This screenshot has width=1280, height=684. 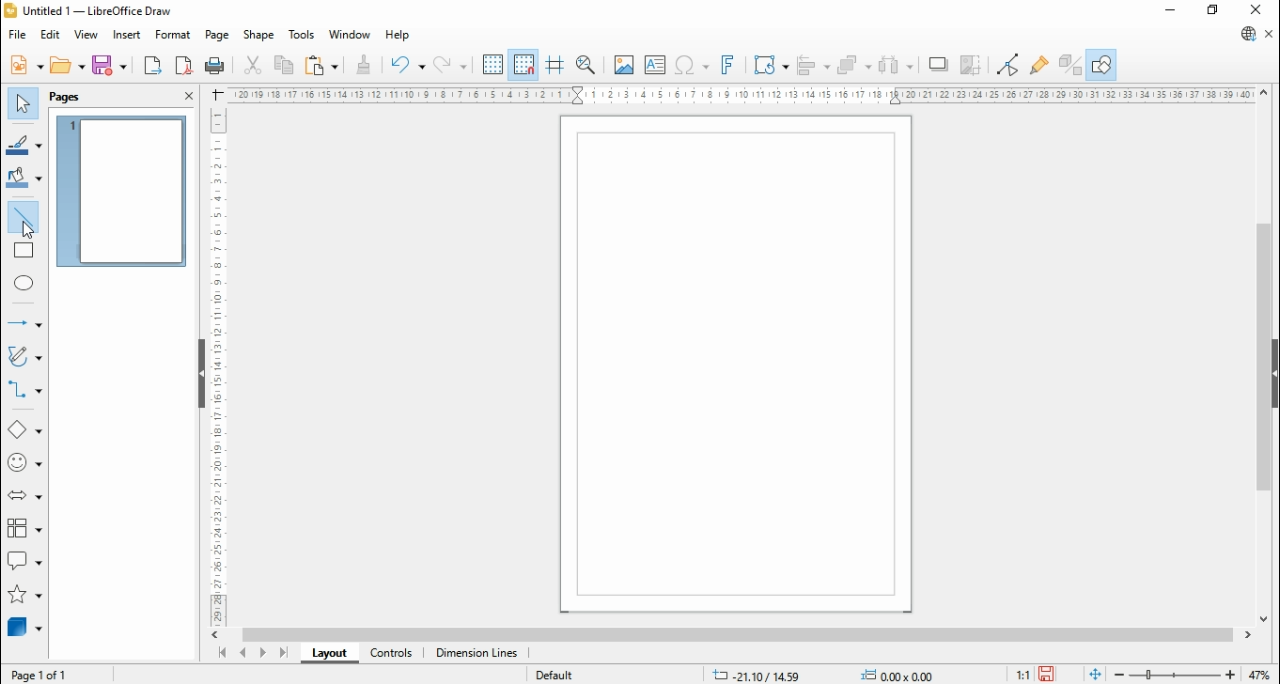 What do you see at coordinates (1173, 675) in the screenshot?
I see `zoom slider` at bounding box center [1173, 675].